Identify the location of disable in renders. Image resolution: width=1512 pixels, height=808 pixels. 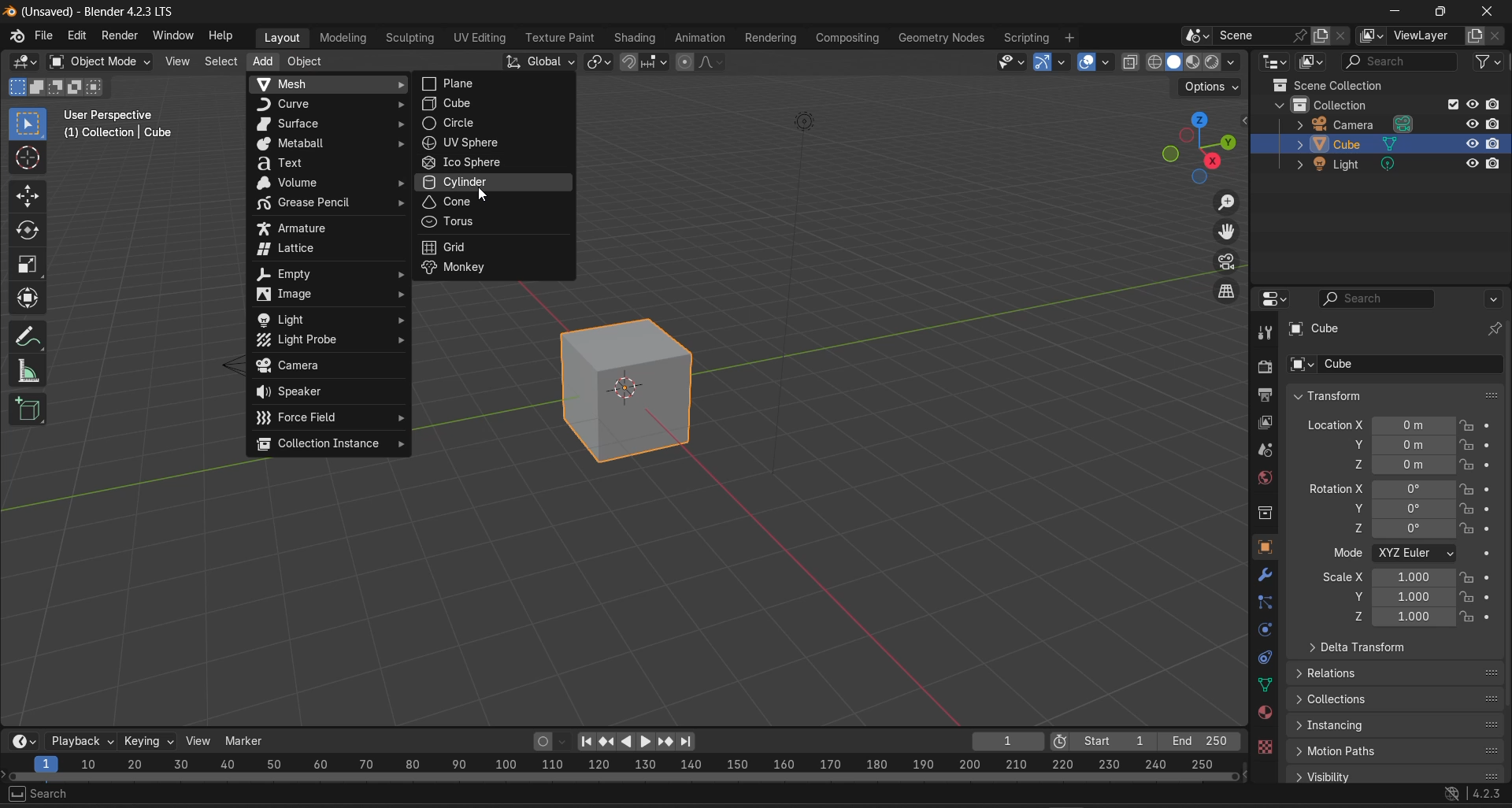
(1495, 104).